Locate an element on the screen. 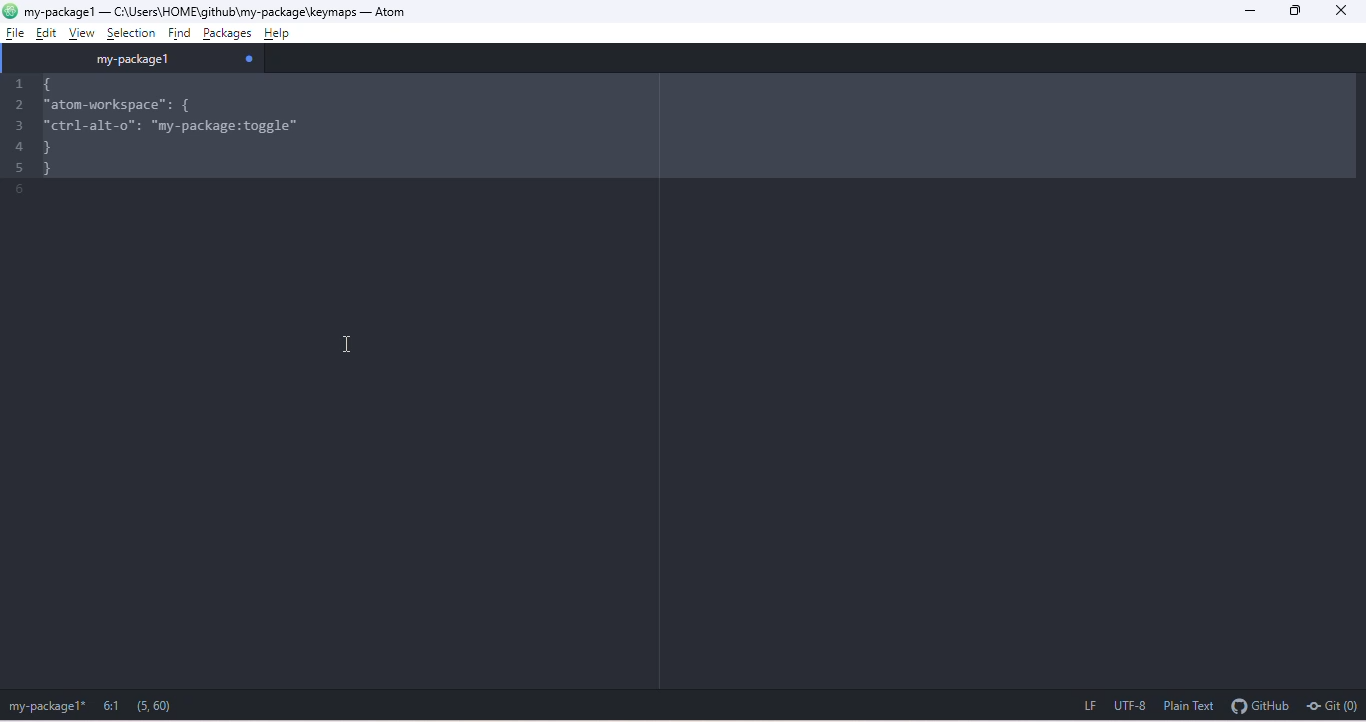 This screenshot has width=1366, height=722. code line is located at coordinates (18, 143).